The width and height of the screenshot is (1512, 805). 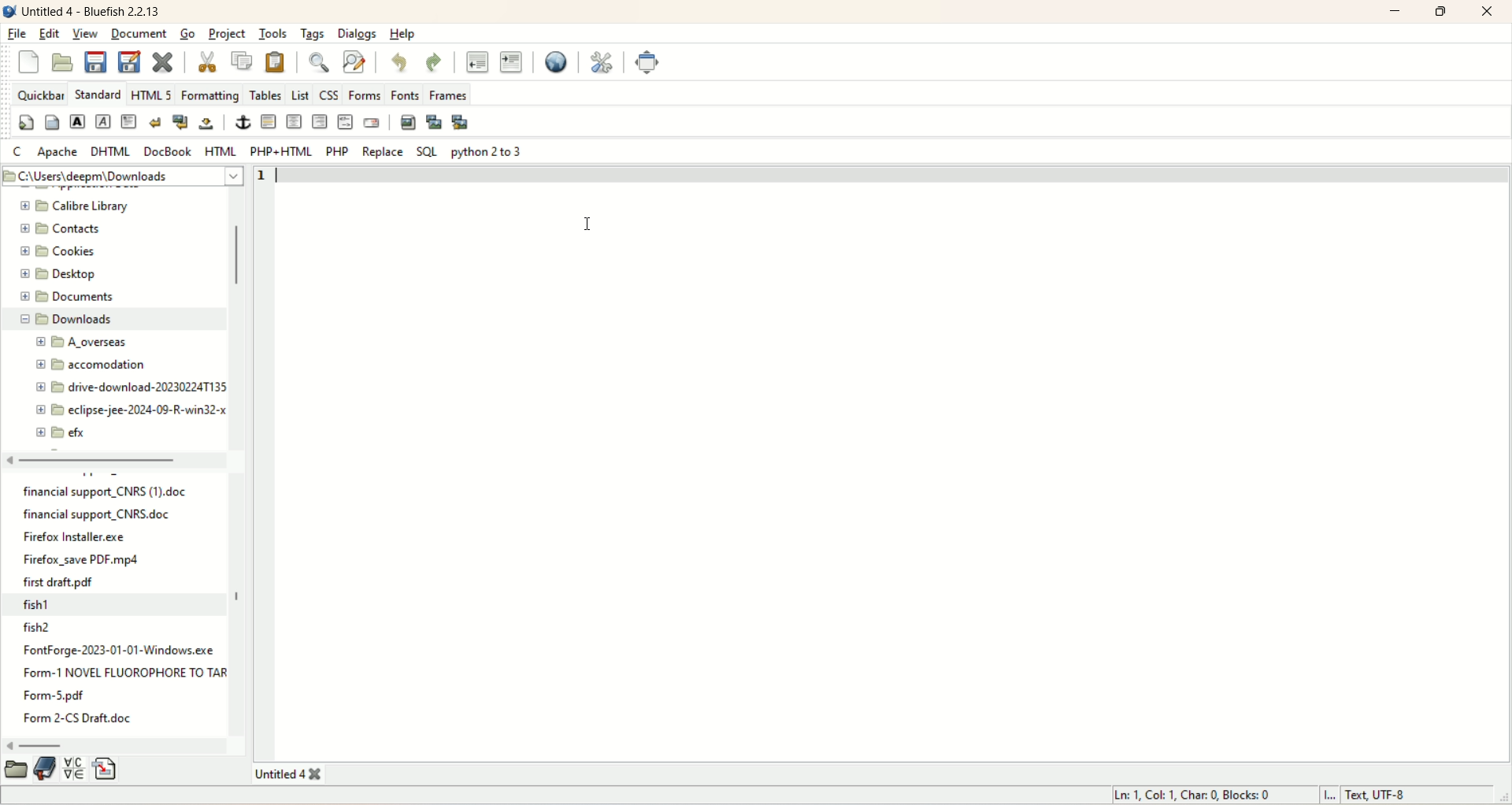 I want to click on preview in browse, so click(x=556, y=61).